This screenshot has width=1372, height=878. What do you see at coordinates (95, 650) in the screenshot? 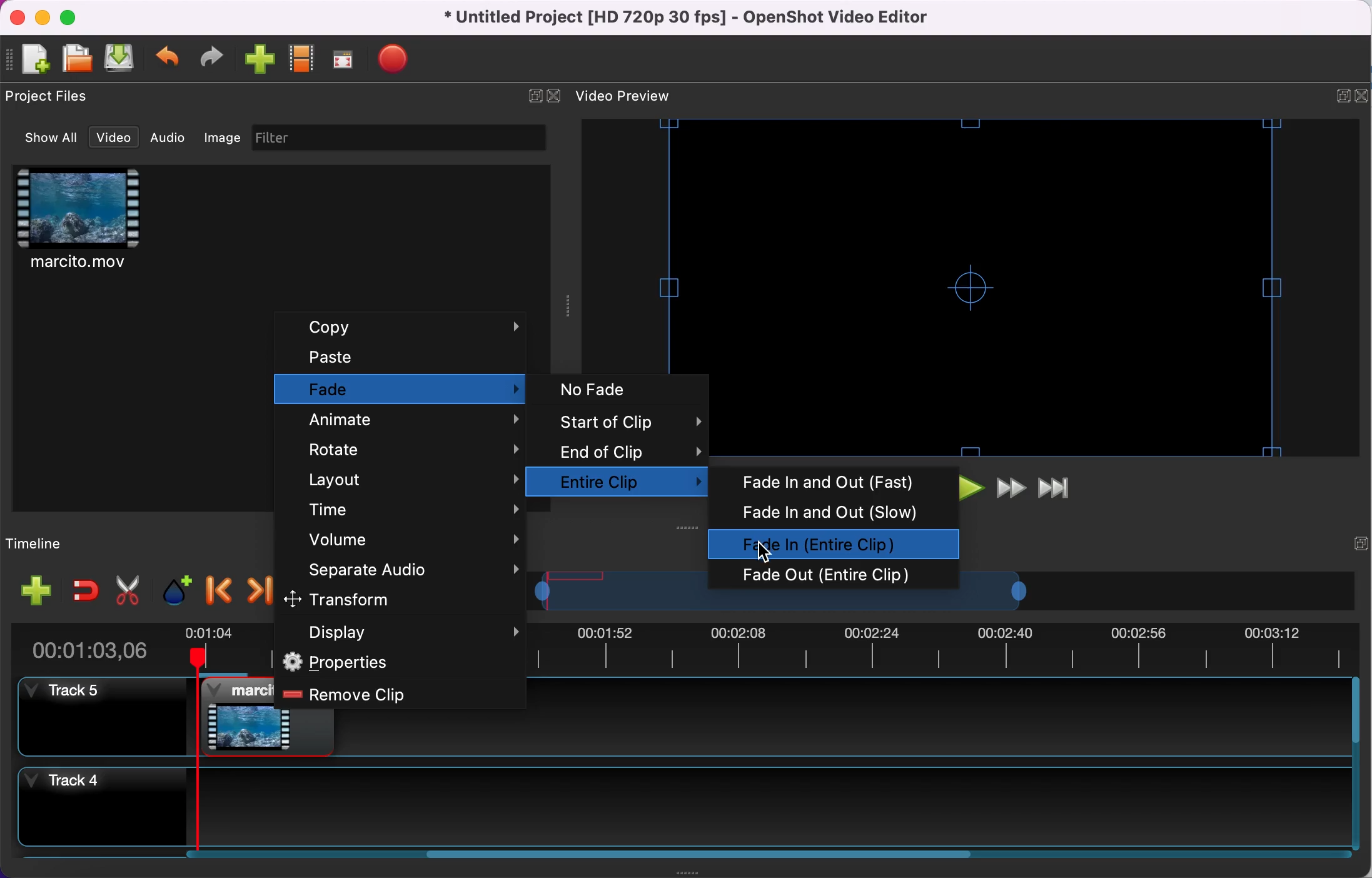
I see `duration` at bounding box center [95, 650].